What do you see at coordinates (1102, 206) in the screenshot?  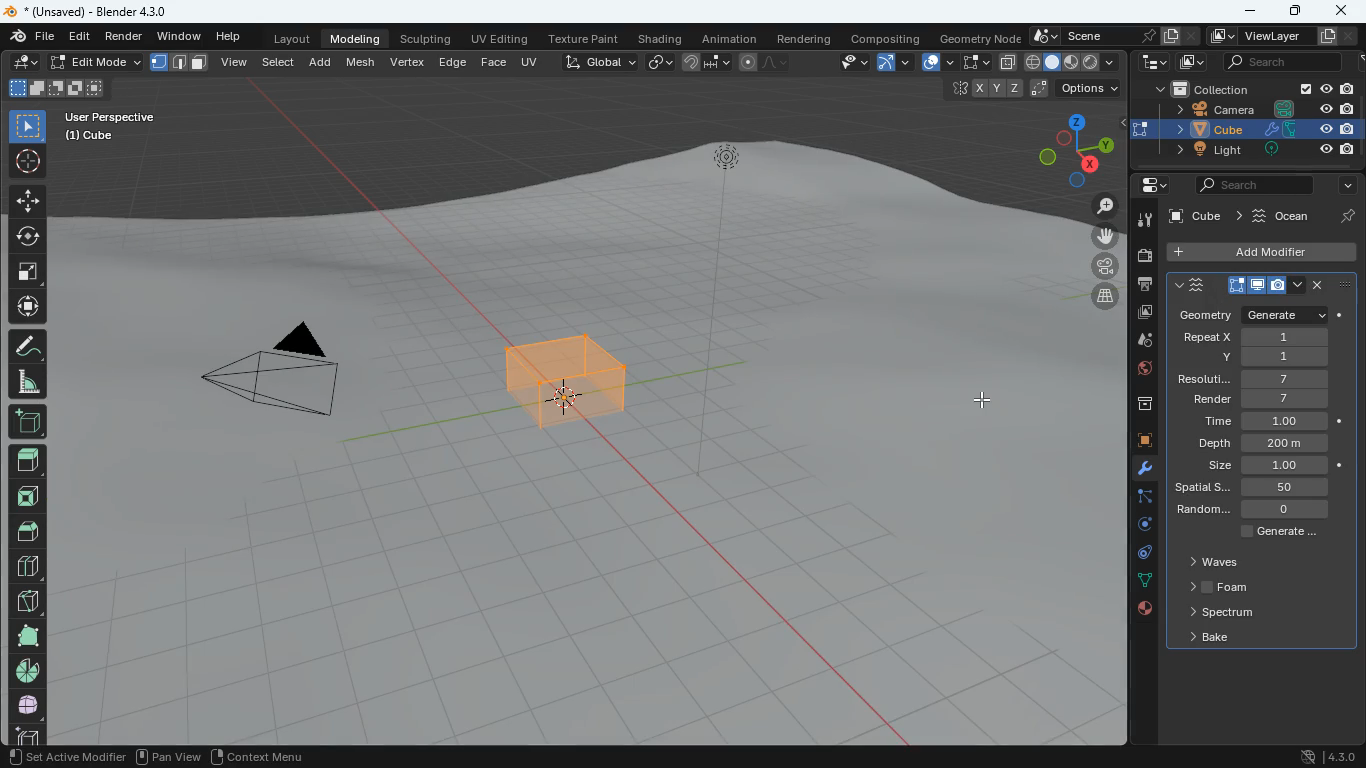 I see `zoom` at bounding box center [1102, 206].